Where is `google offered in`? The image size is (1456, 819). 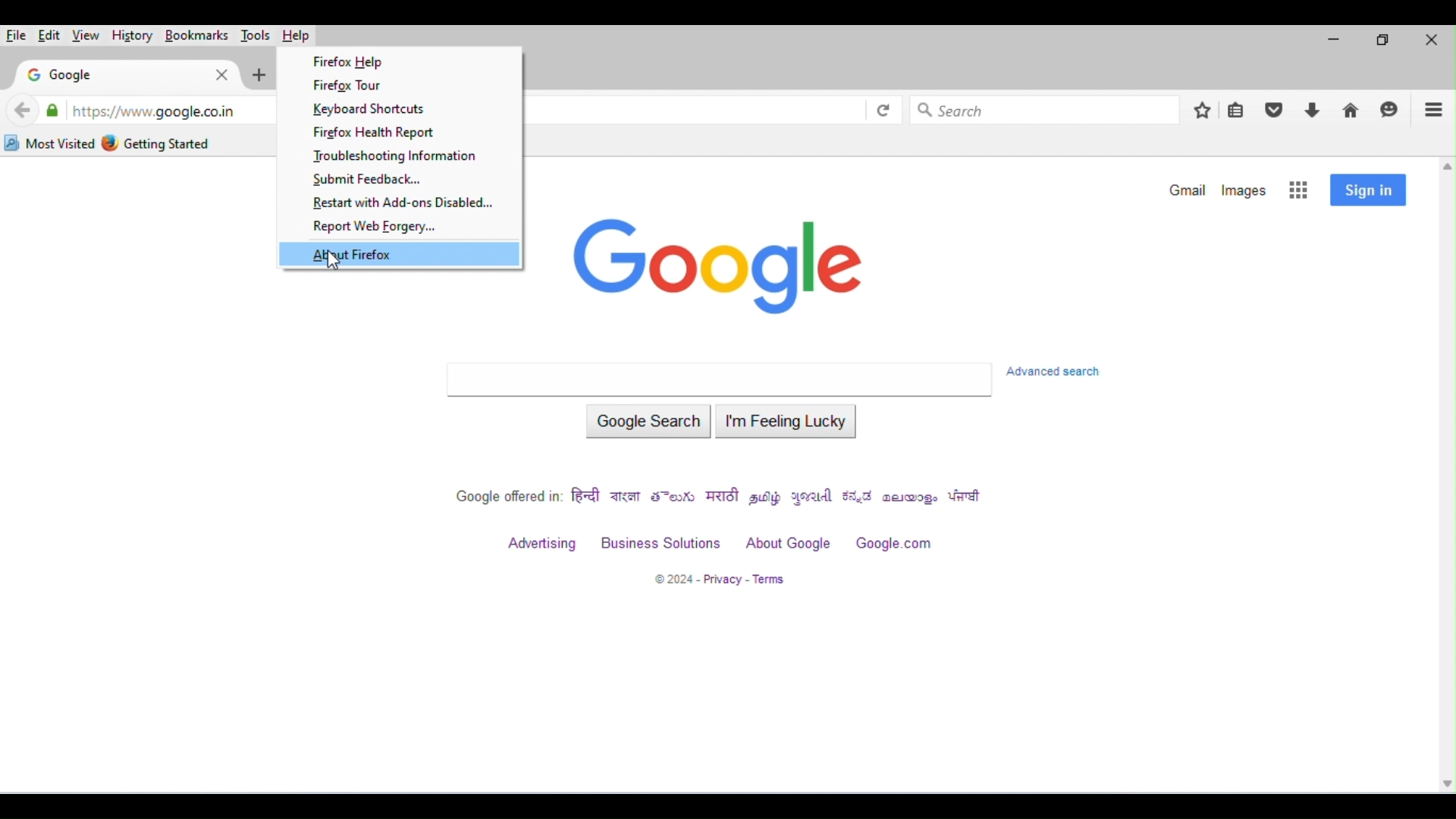
google offered in is located at coordinates (506, 497).